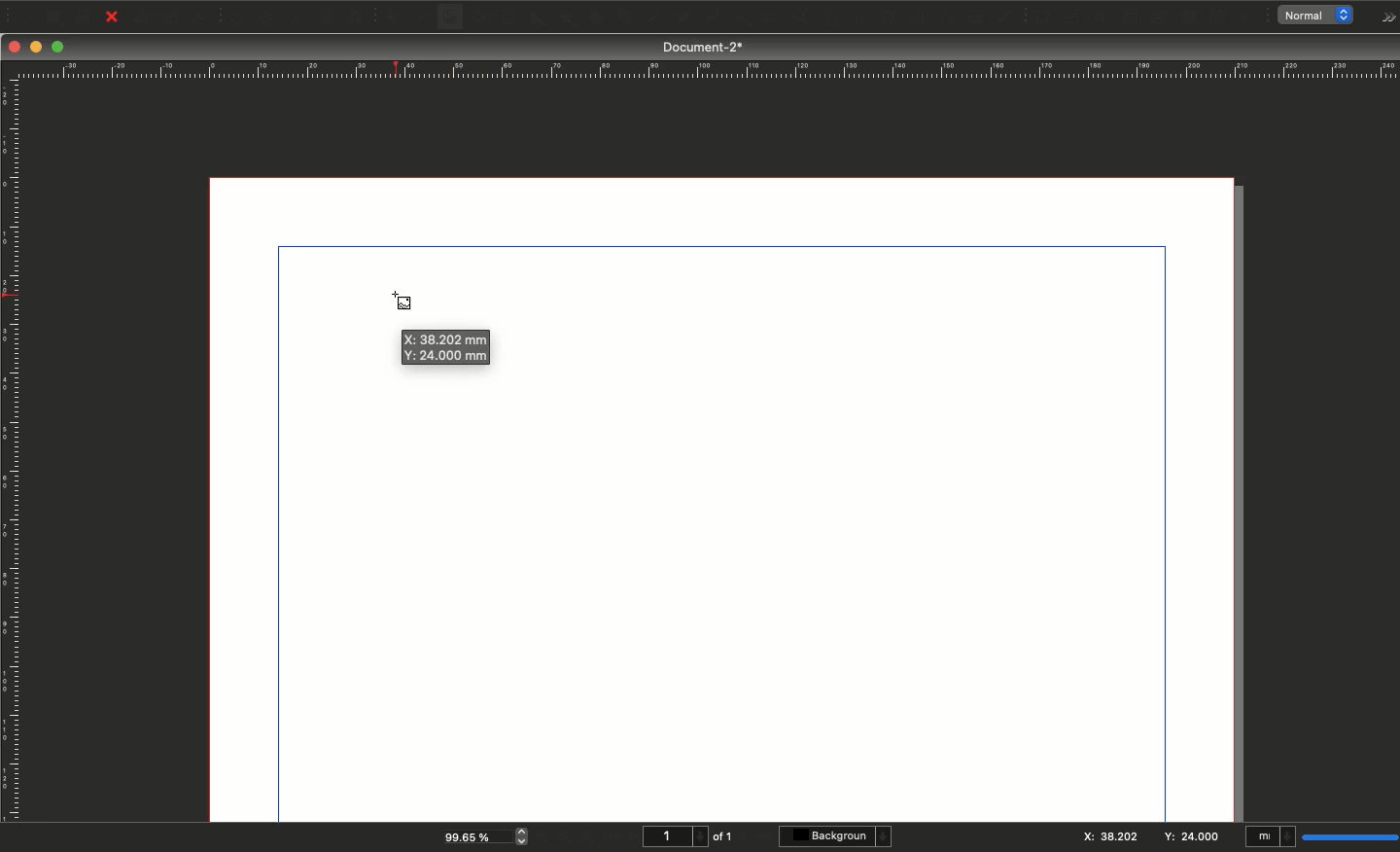  Describe the element at coordinates (445, 348) in the screenshot. I see `X: 38.202 mm Y: 24.000 mm` at that location.